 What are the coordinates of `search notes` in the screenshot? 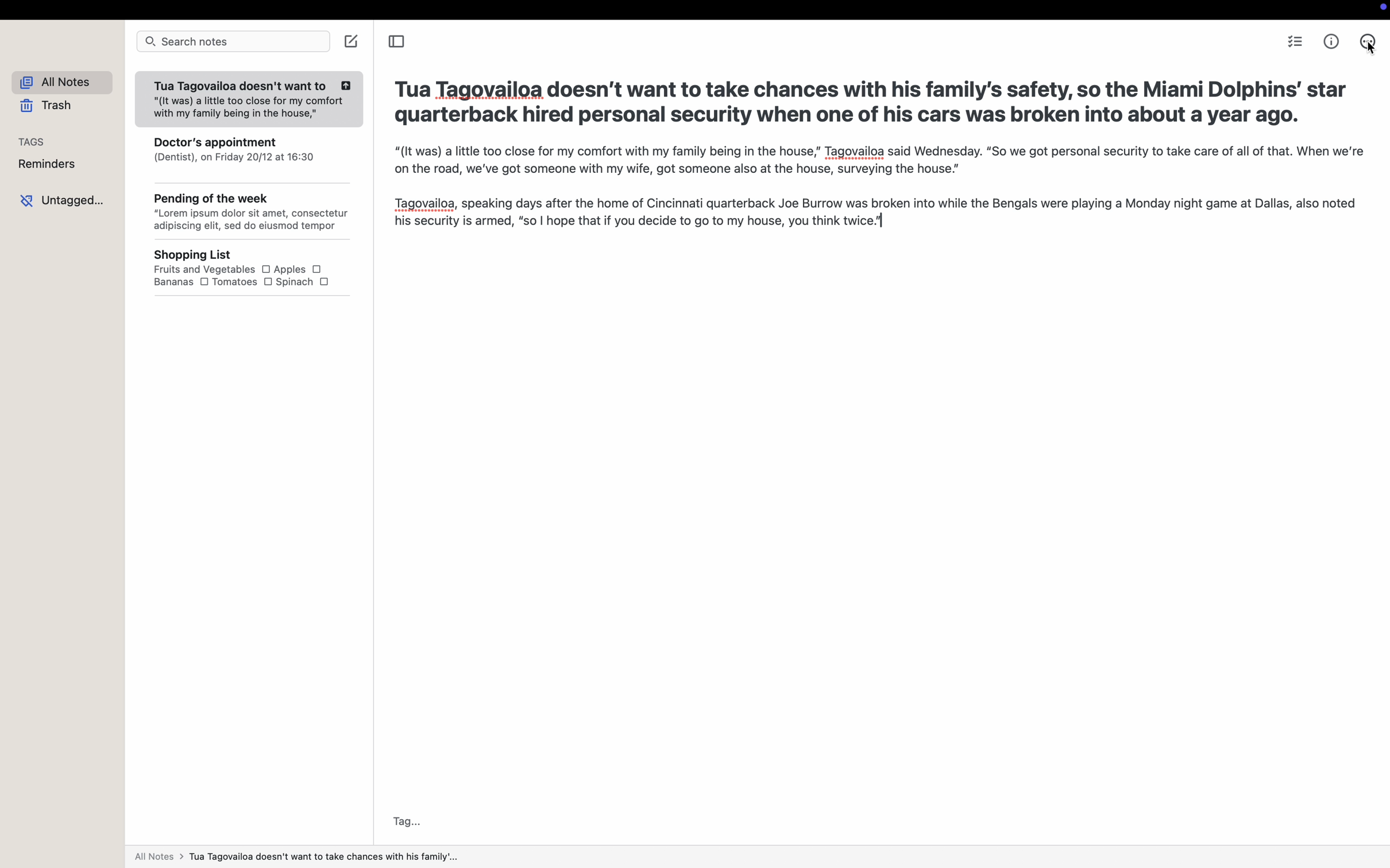 It's located at (233, 43).